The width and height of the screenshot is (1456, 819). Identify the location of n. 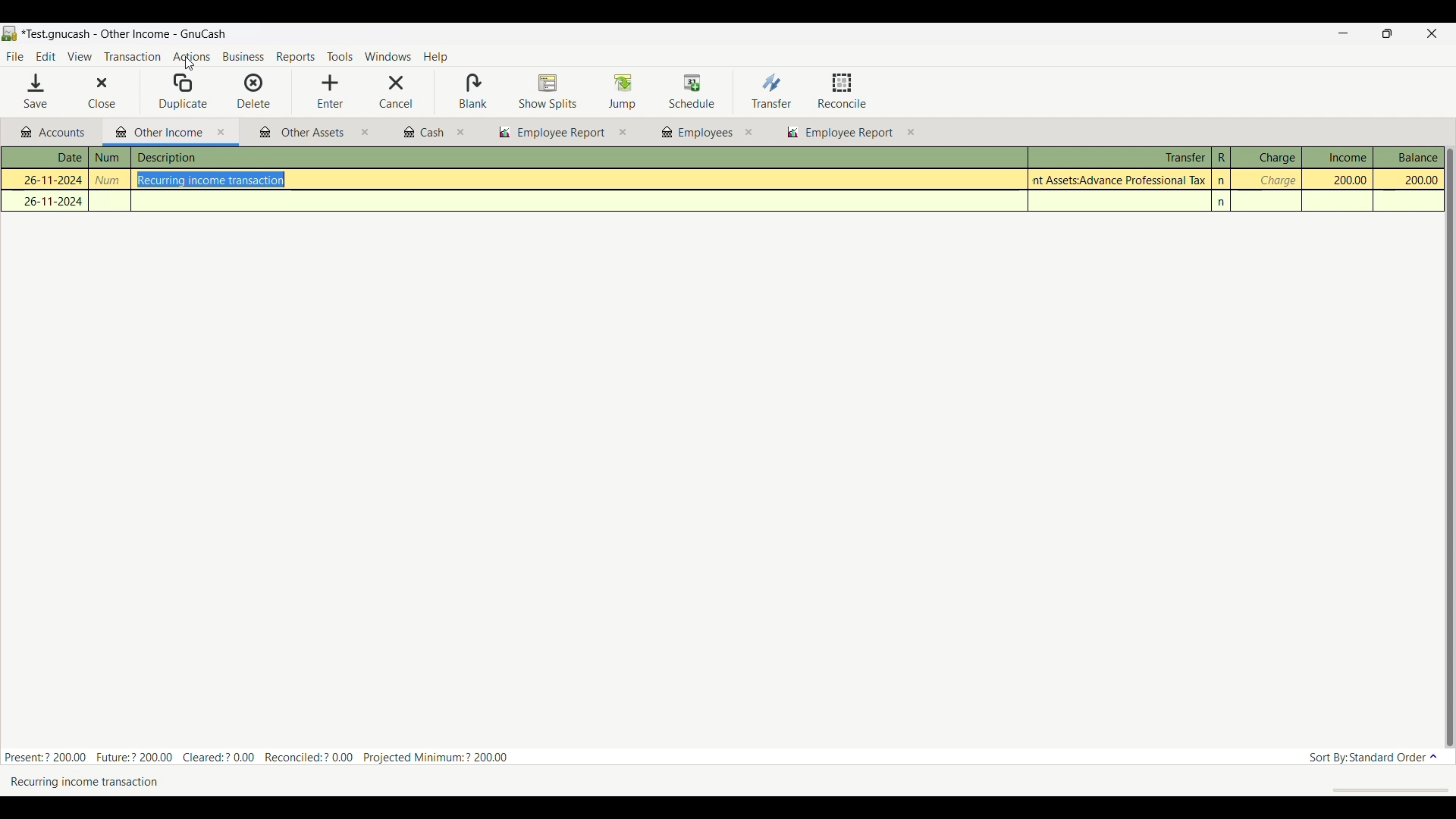
(1222, 180).